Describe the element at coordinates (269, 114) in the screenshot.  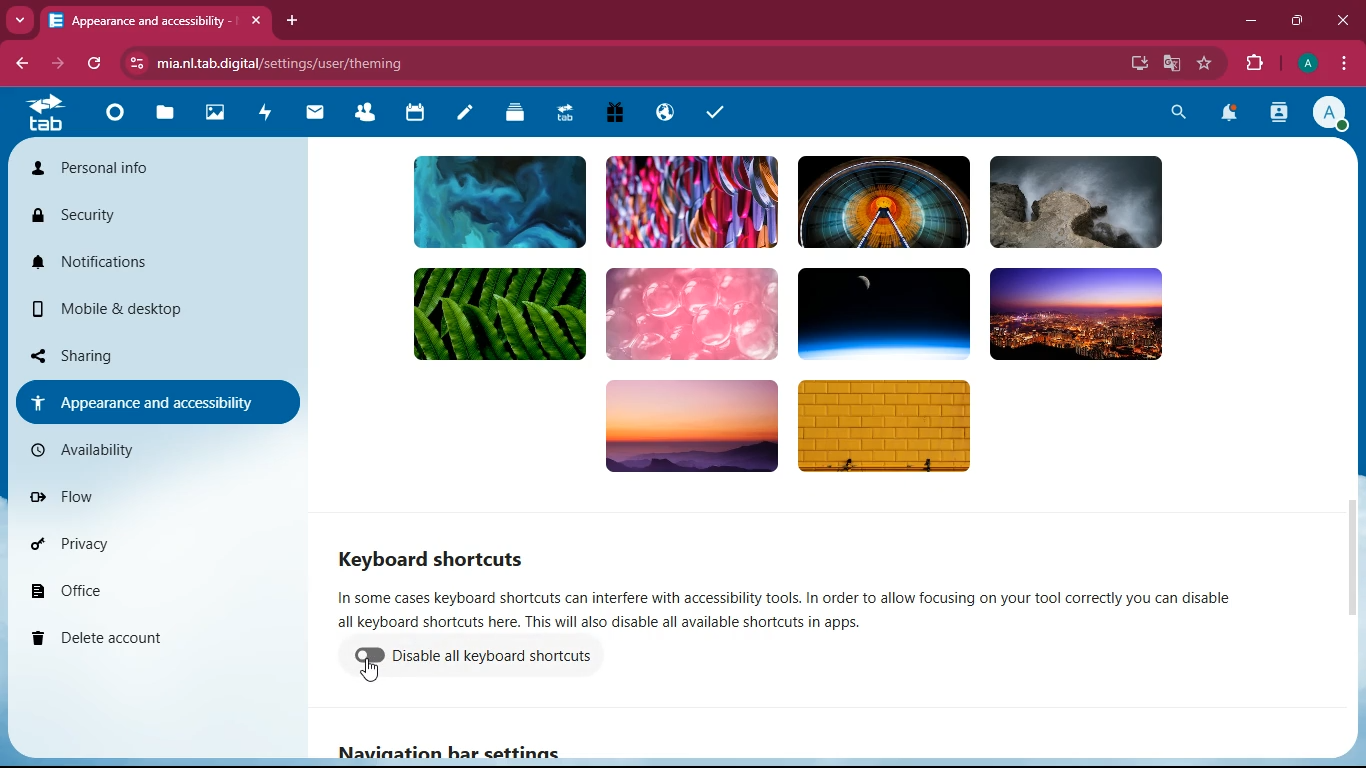
I see `activity` at that location.